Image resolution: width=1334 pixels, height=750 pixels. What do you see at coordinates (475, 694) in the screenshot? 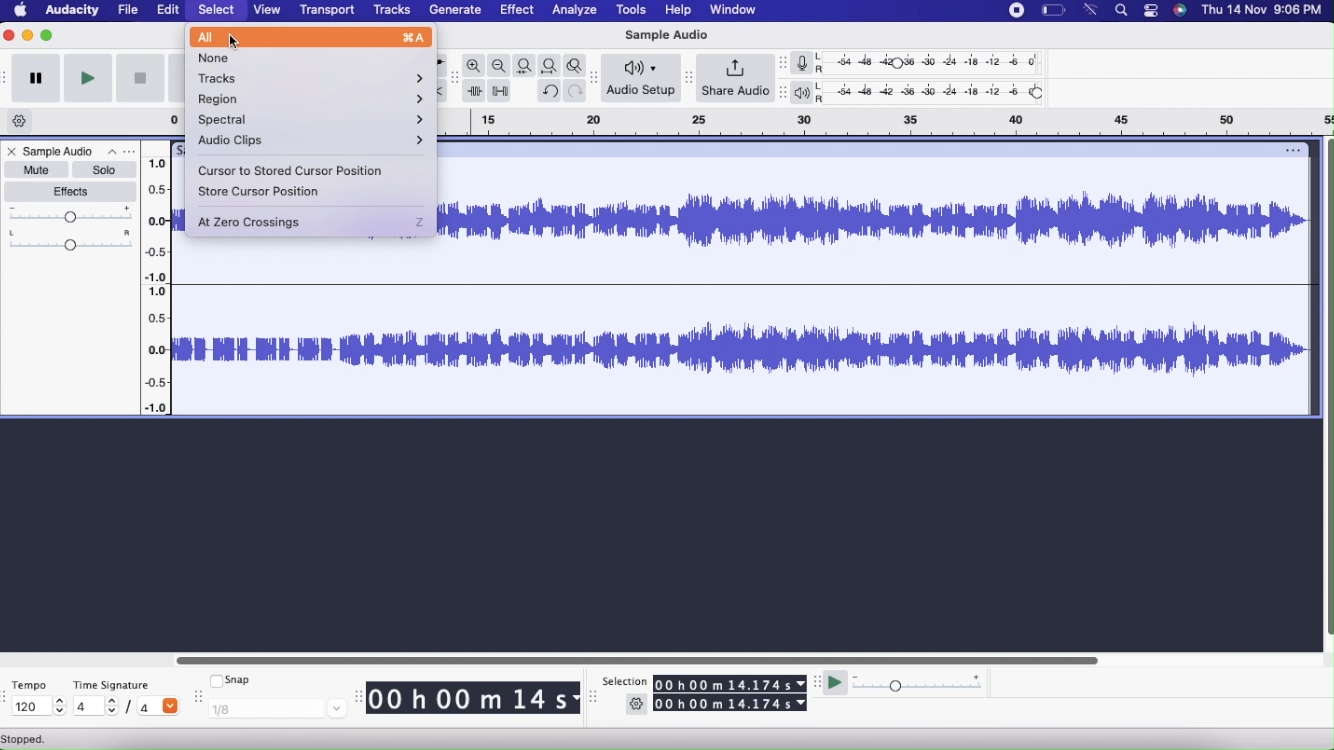
I see `00 h 00 m 14 s` at bounding box center [475, 694].